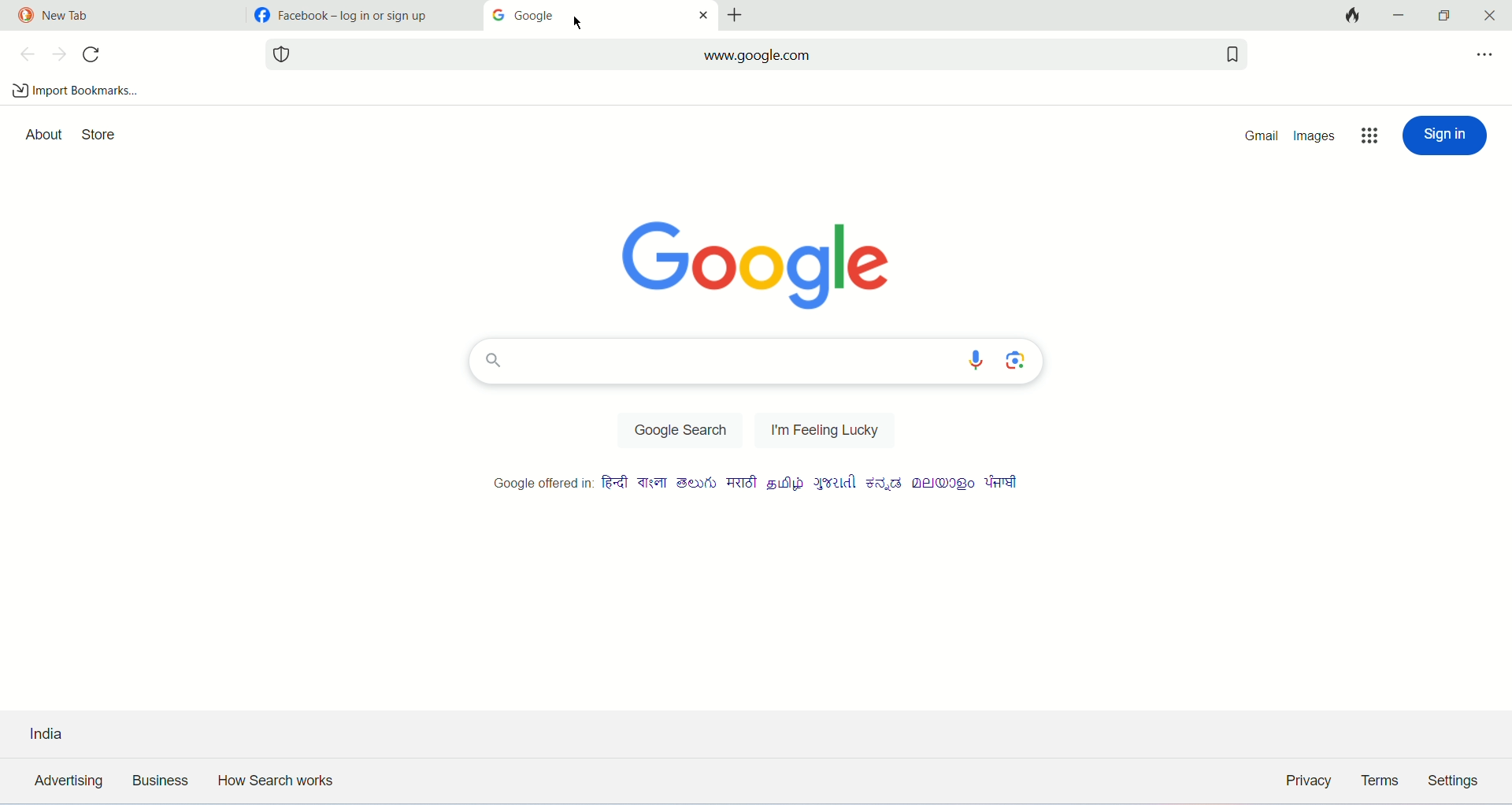  I want to click on add tabs, so click(735, 17).